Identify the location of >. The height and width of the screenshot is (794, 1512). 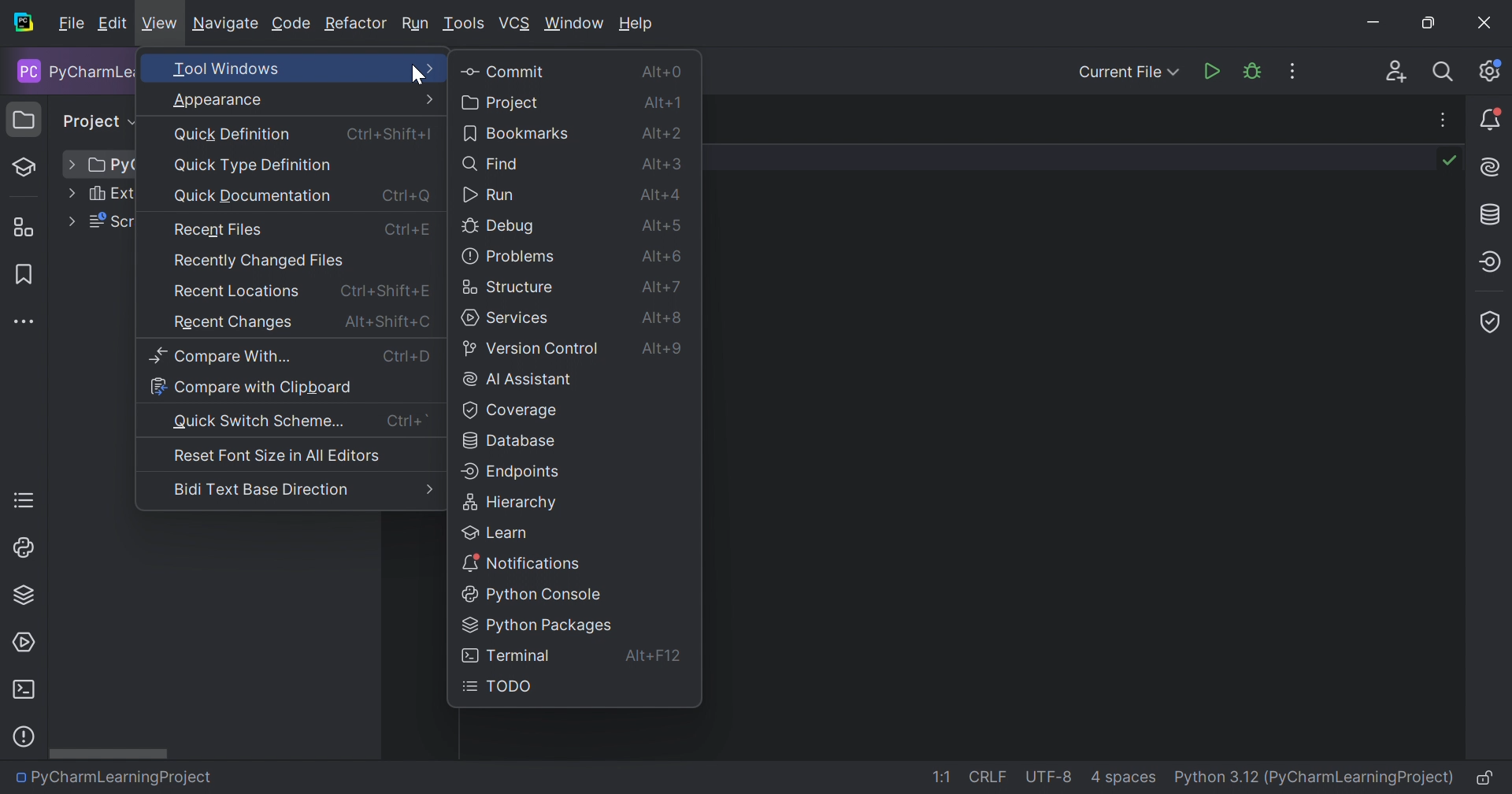
(426, 489).